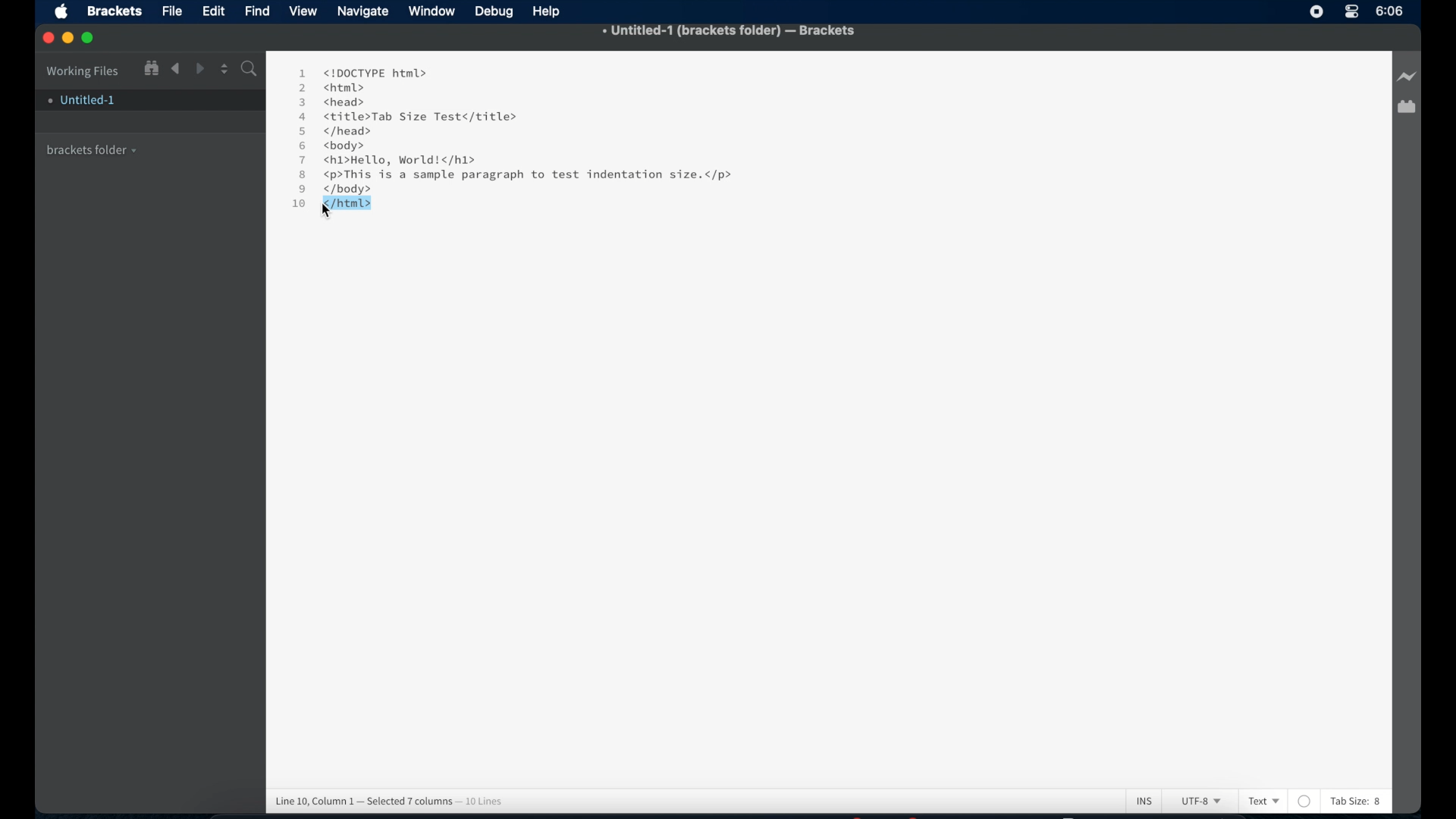  Describe the element at coordinates (93, 148) in the screenshot. I see `brackets folder` at that location.